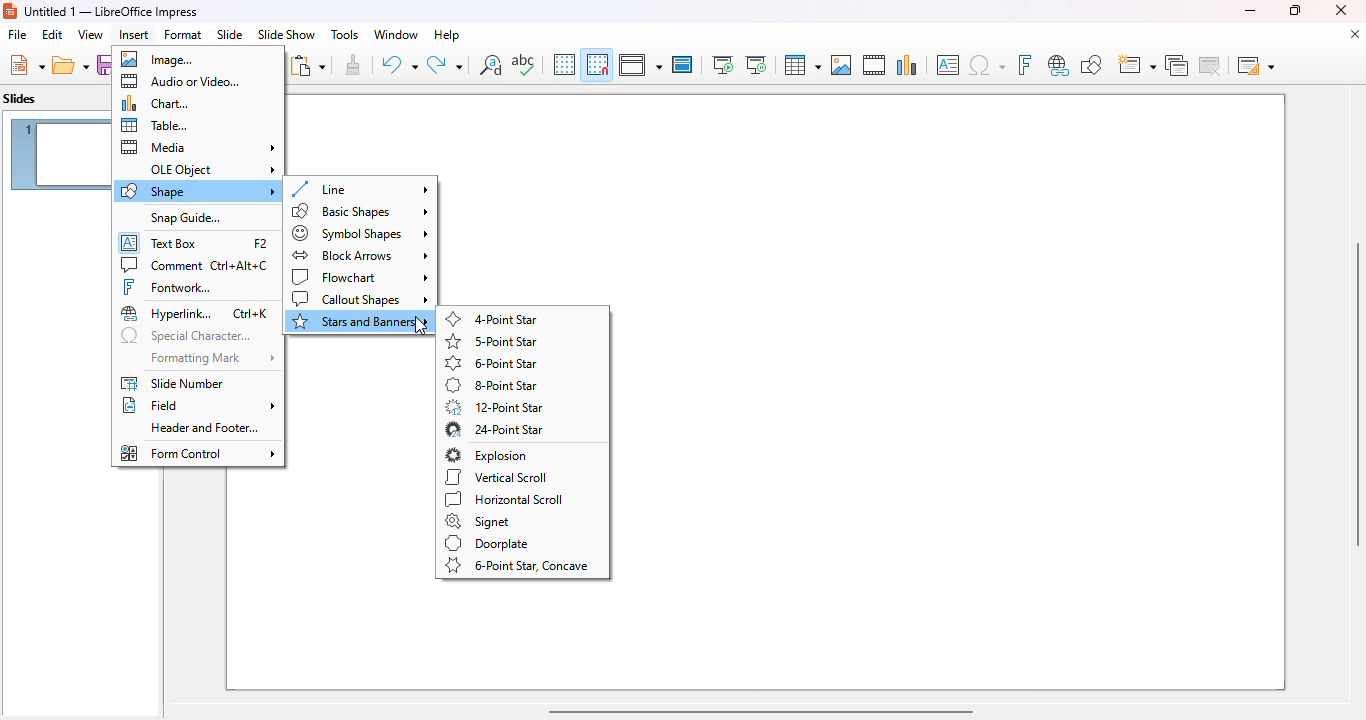 Image resolution: width=1366 pixels, height=720 pixels. I want to click on fontwork, so click(167, 287).